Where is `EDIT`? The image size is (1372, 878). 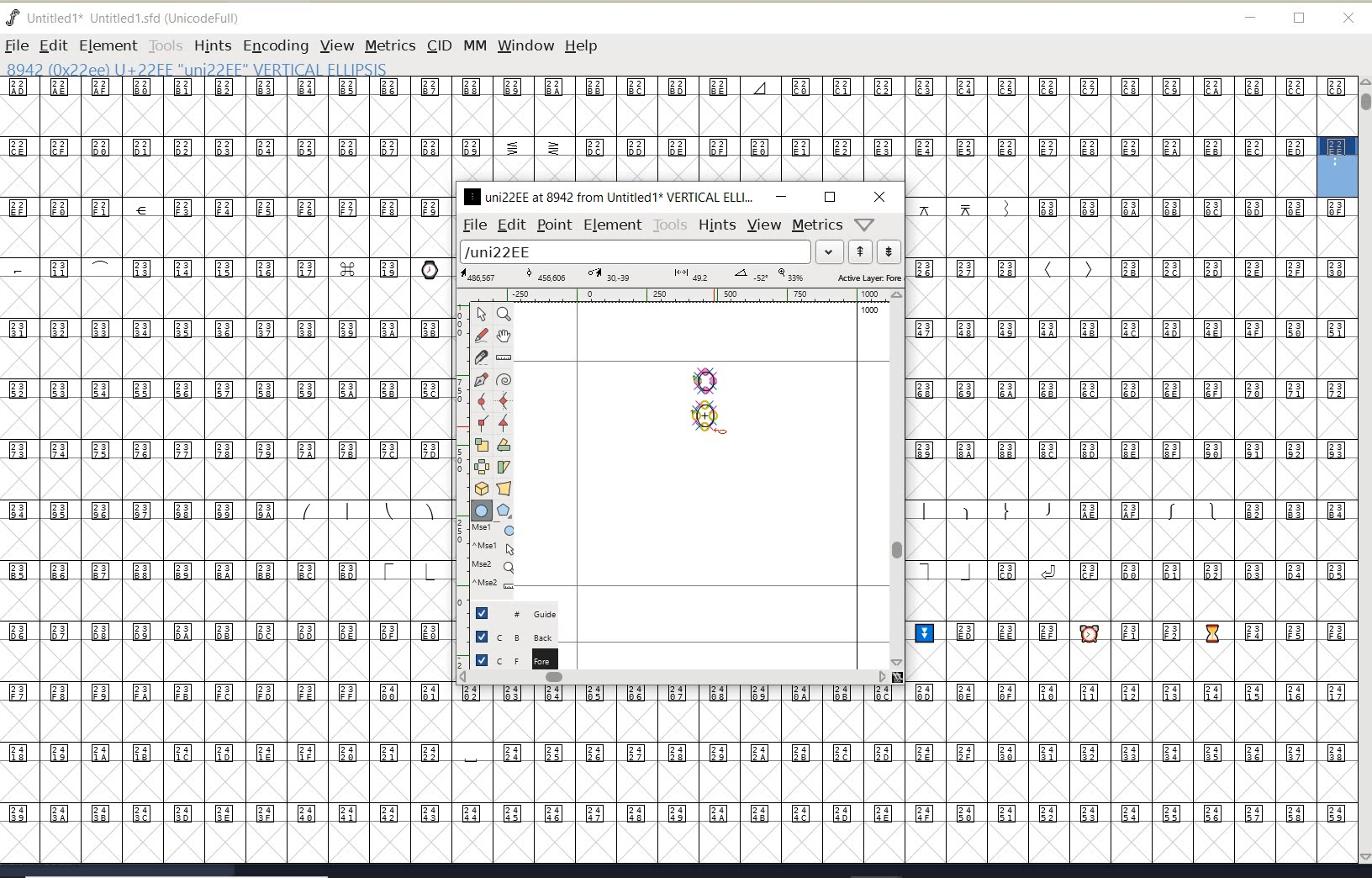
EDIT is located at coordinates (53, 45).